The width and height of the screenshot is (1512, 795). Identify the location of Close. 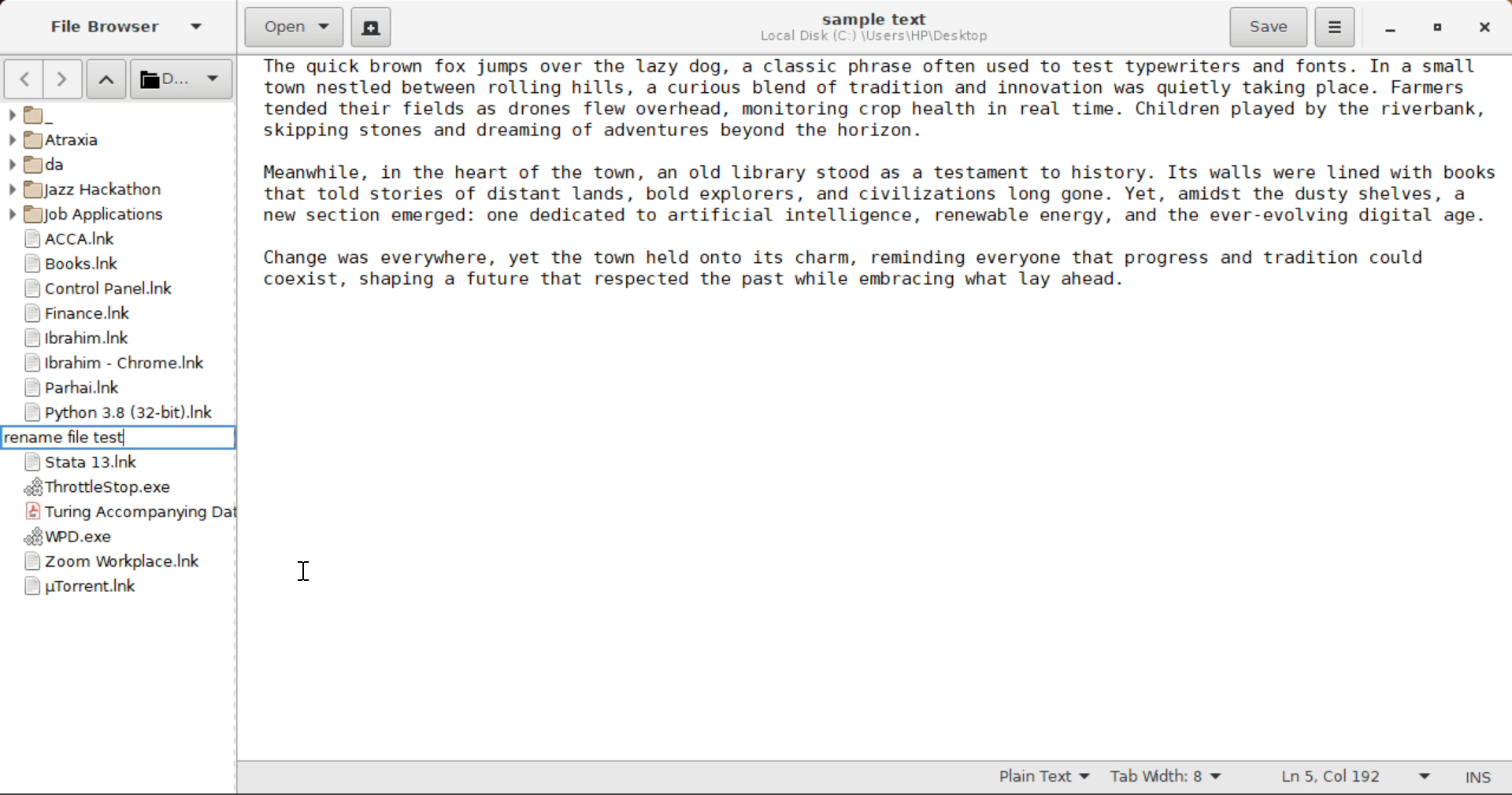
(1482, 28).